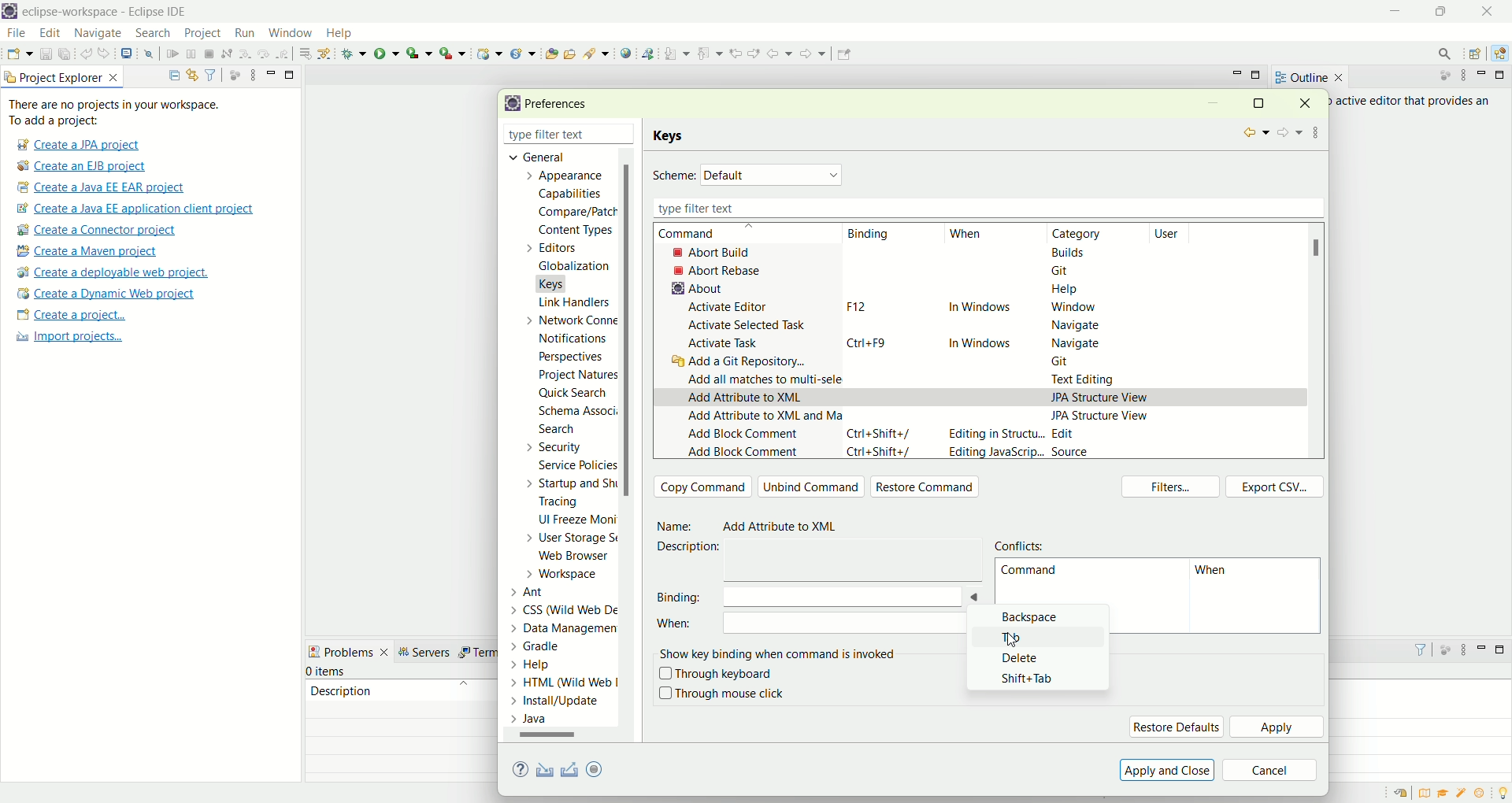 This screenshot has width=1512, height=803. I want to click on open a terminal, so click(125, 54).